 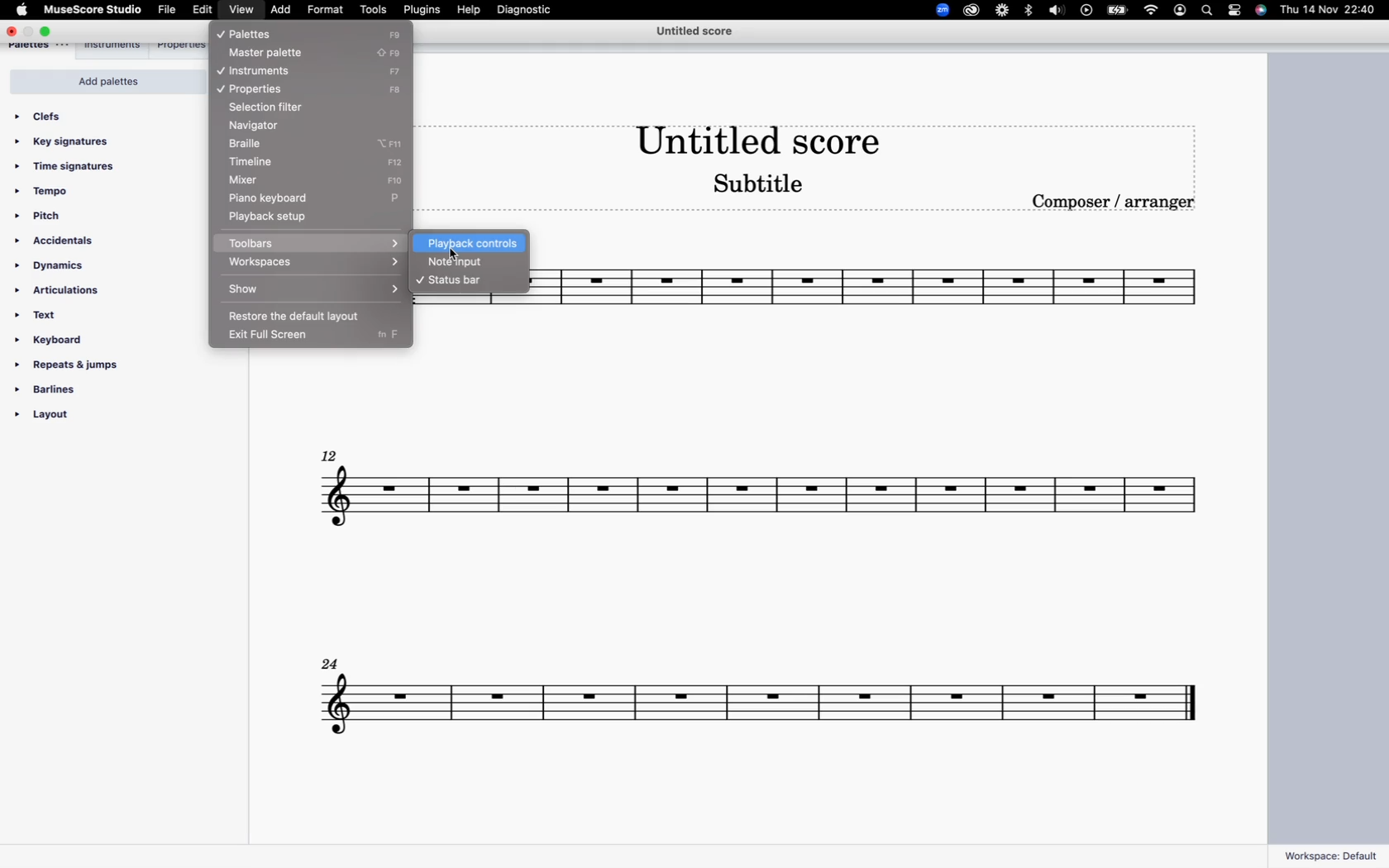 I want to click on selection filter, so click(x=282, y=106).